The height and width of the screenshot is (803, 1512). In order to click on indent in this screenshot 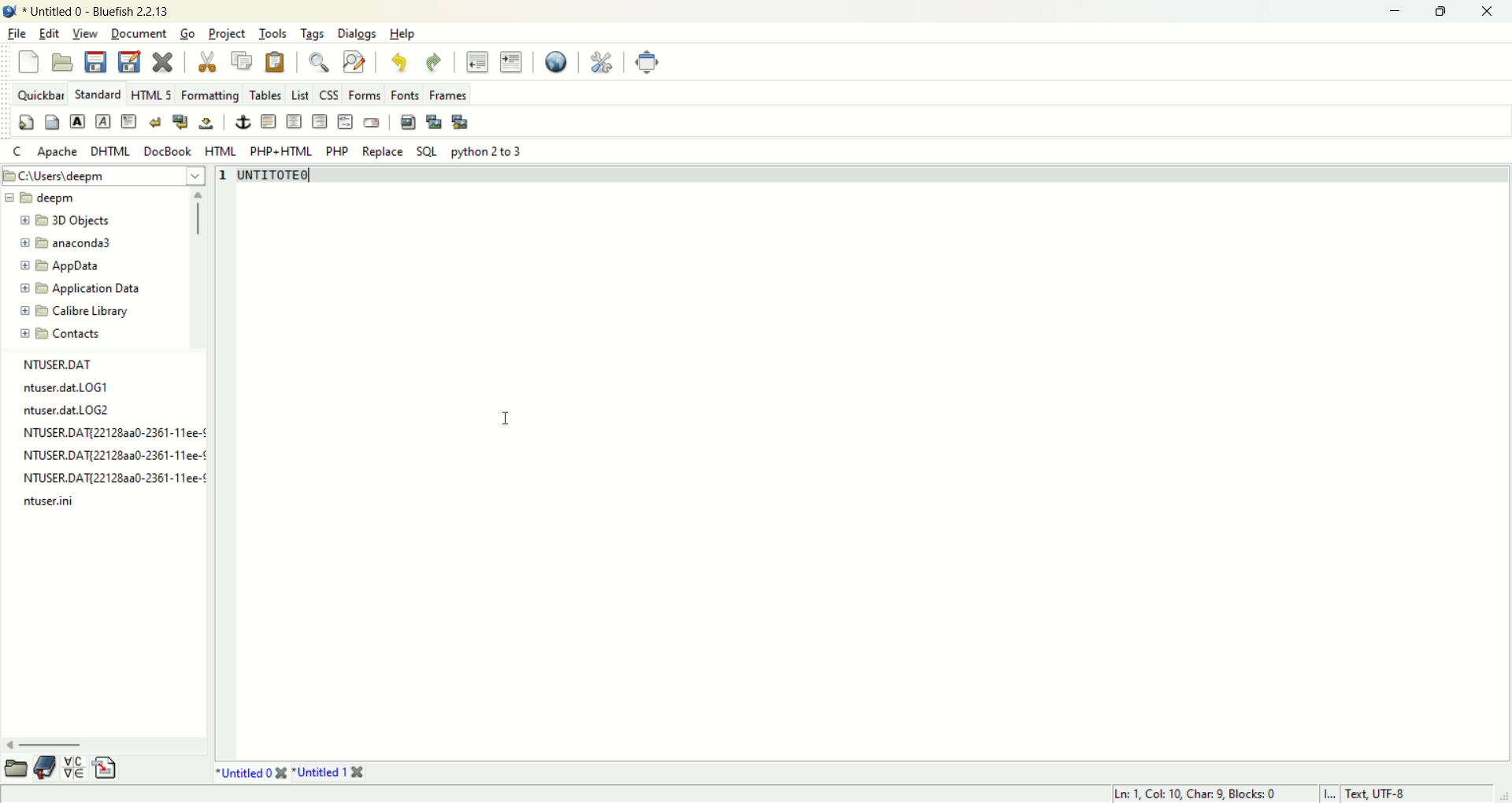, I will do `click(514, 61)`.